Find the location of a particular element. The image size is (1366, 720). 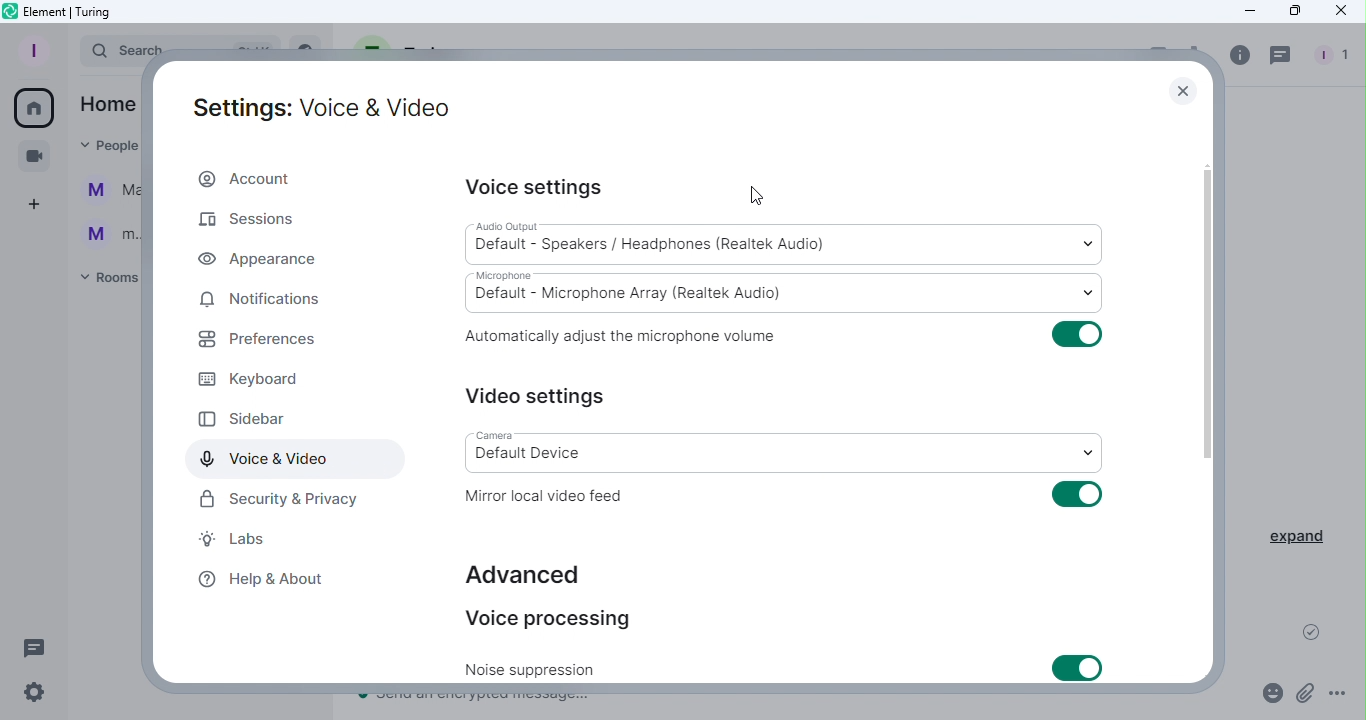

Appearance is located at coordinates (248, 263).